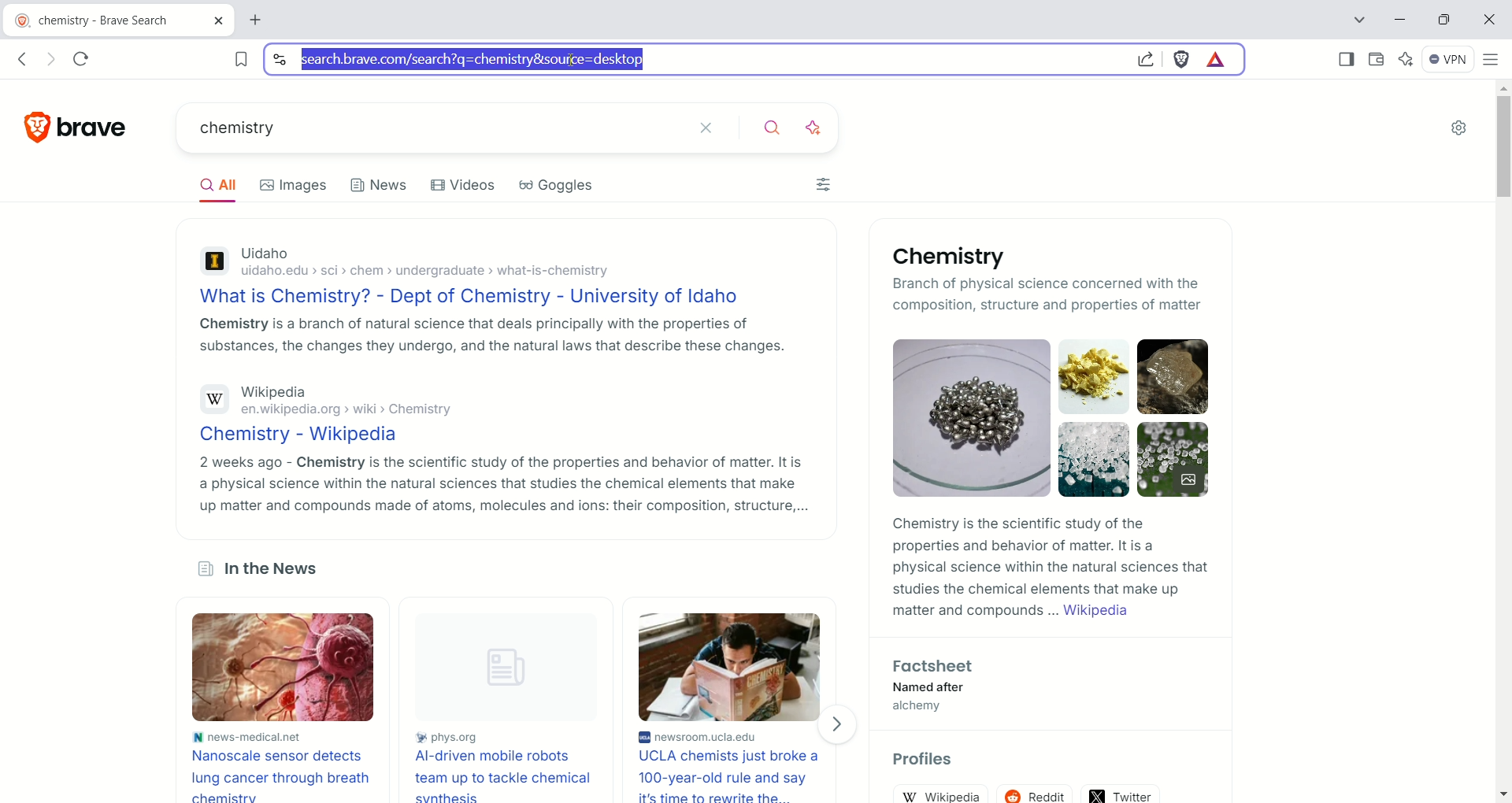  What do you see at coordinates (999, 293) in the screenshot?
I see `Branch of physical science concerned with the composition, structure and properties of matter.` at bounding box center [999, 293].